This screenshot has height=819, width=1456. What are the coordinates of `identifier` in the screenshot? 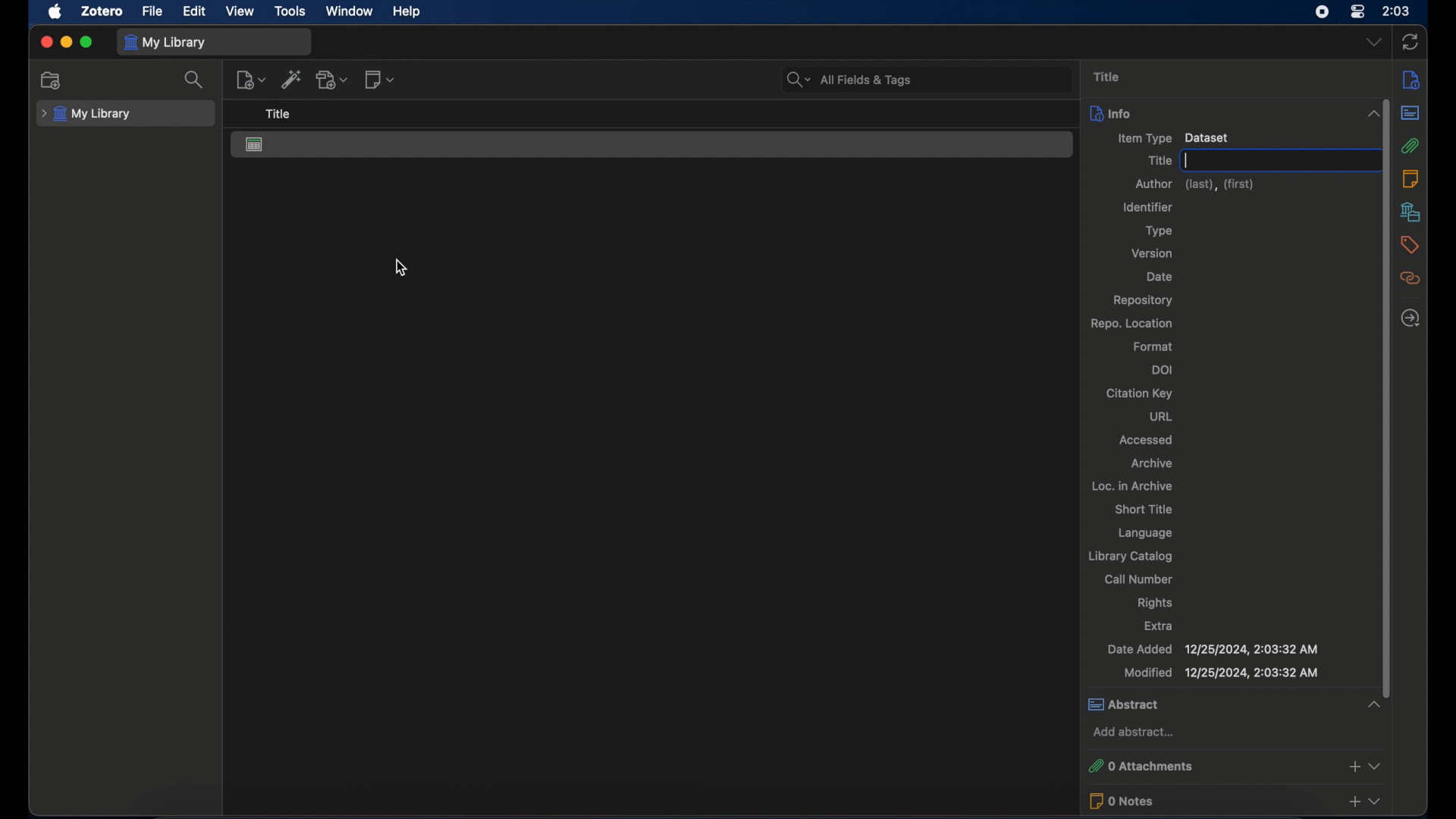 It's located at (1147, 208).